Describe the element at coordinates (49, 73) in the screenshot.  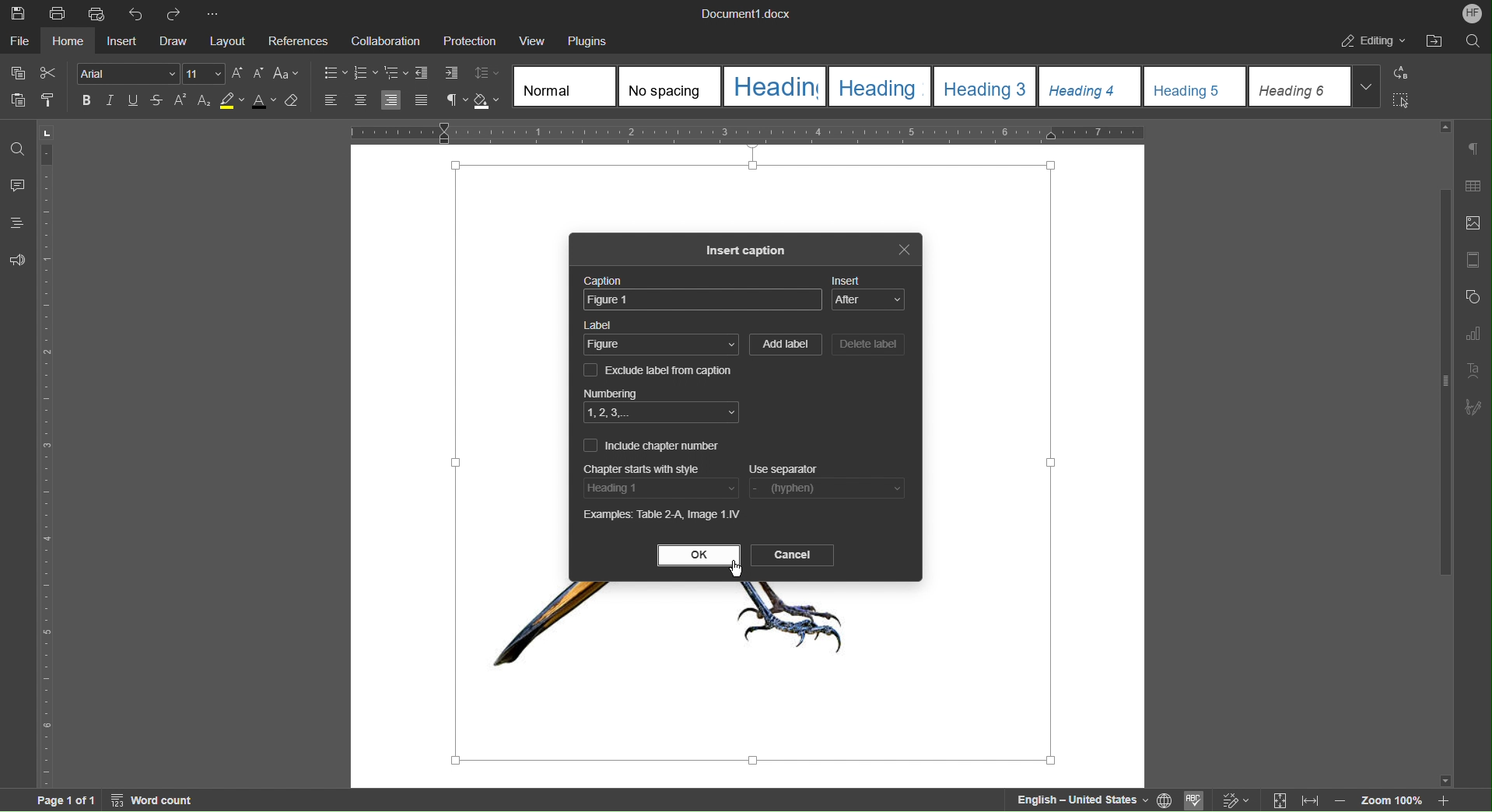
I see `Cut` at that location.